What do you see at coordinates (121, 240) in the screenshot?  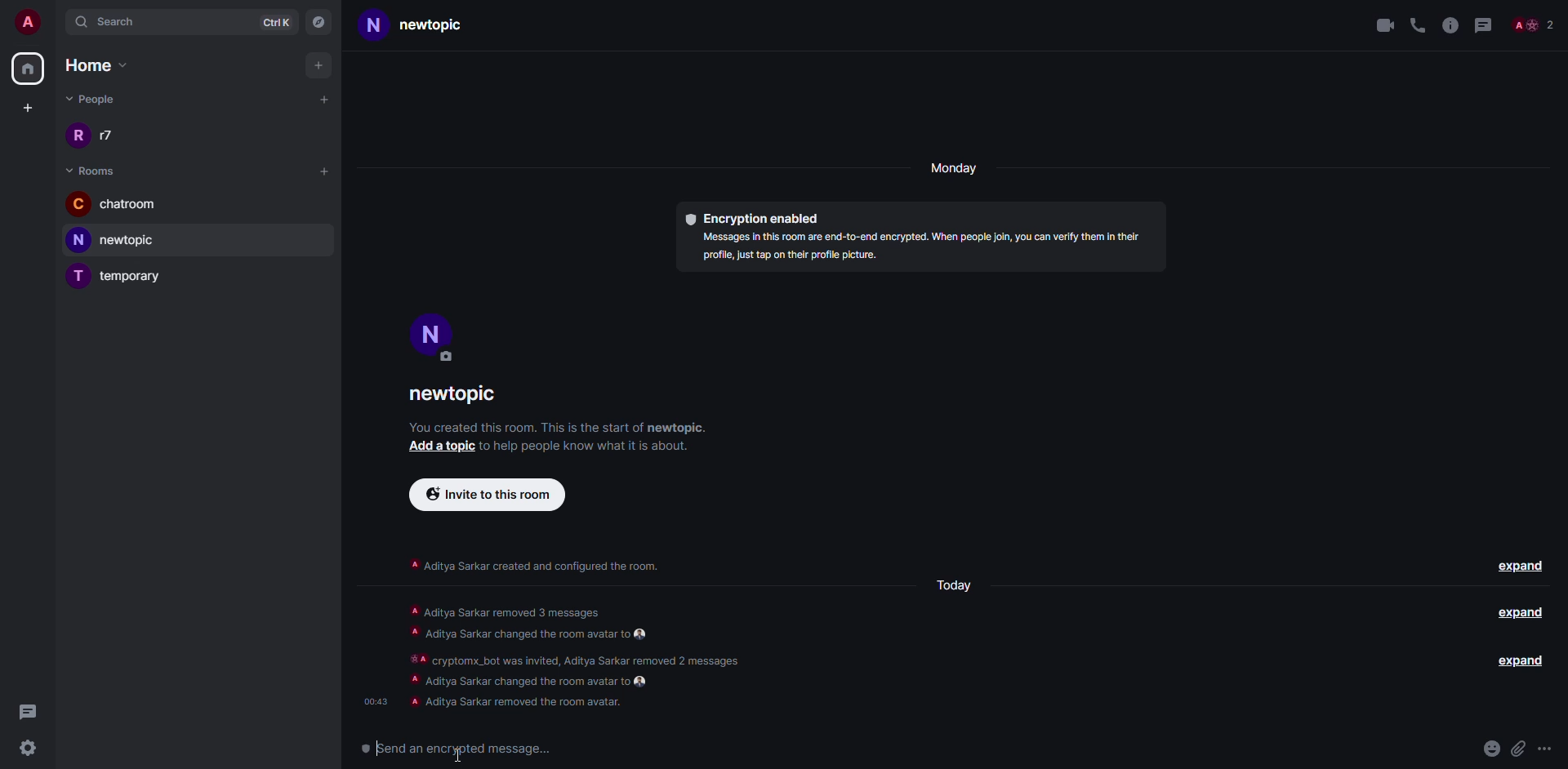 I see `newtopic` at bounding box center [121, 240].